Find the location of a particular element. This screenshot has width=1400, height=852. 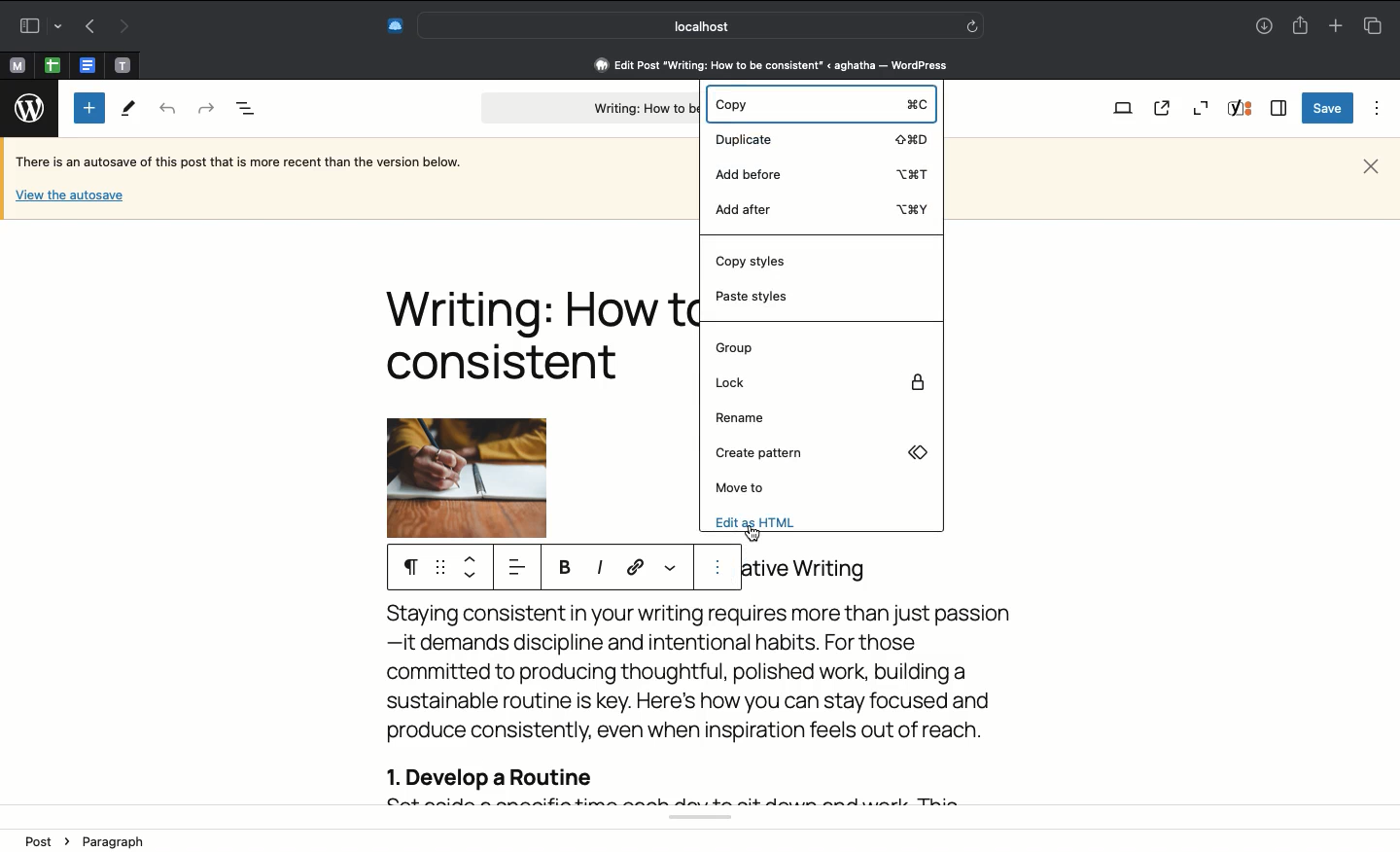

Italics is located at coordinates (600, 568).